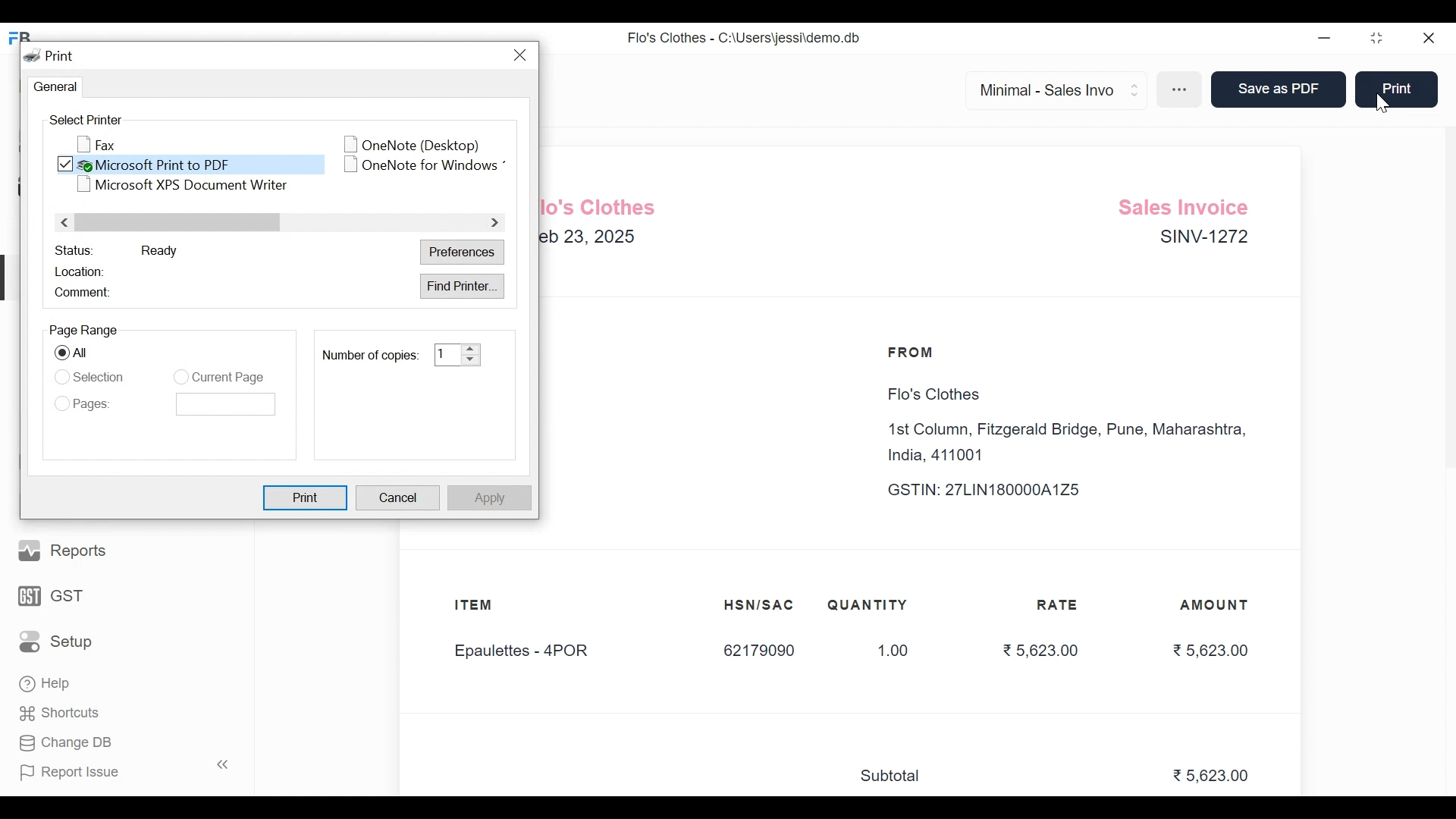 This screenshot has height=819, width=1456. Describe the element at coordinates (897, 777) in the screenshot. I see `Subtotal` at that location.